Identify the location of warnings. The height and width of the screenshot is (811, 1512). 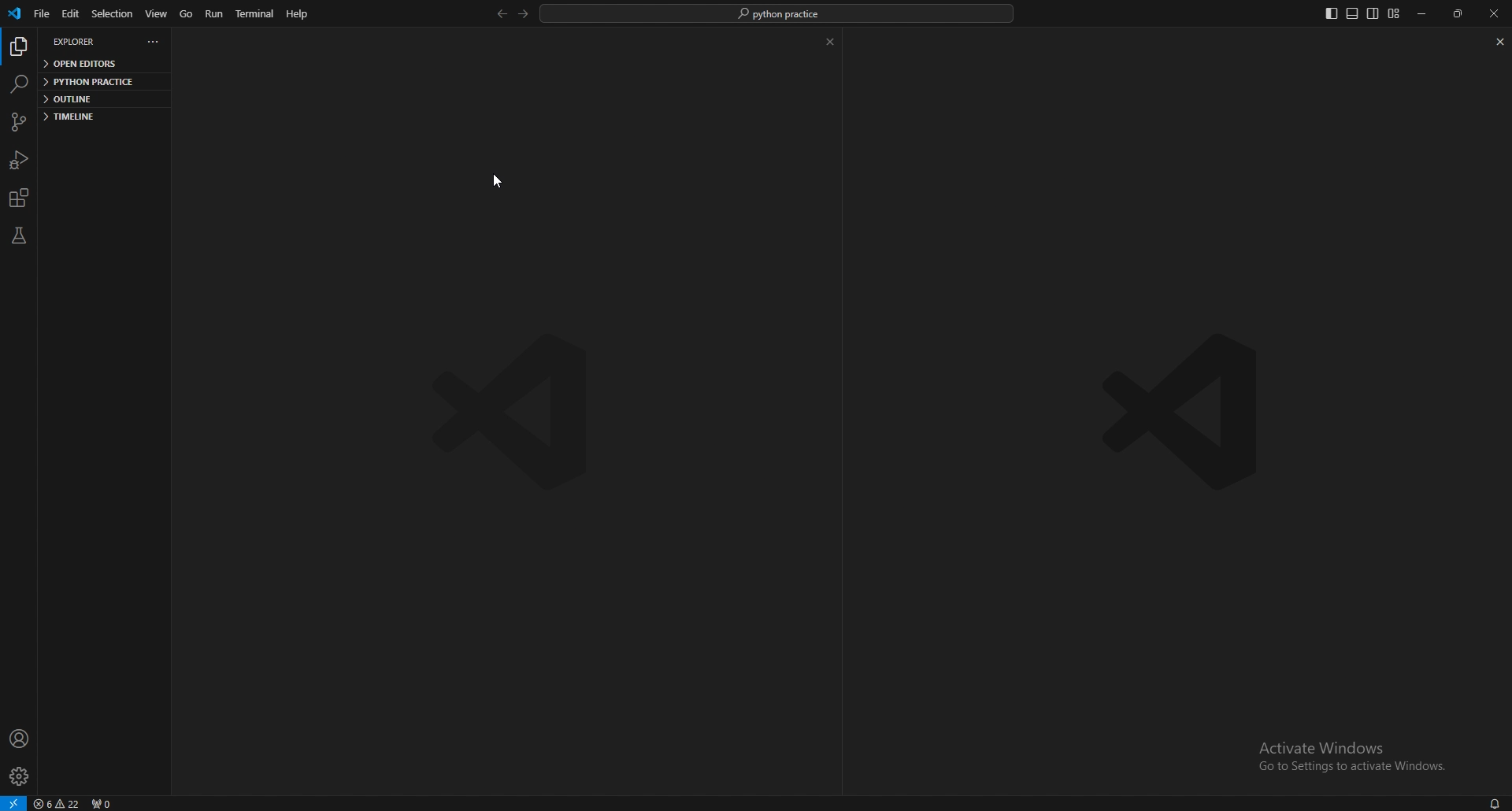
(58, 803).